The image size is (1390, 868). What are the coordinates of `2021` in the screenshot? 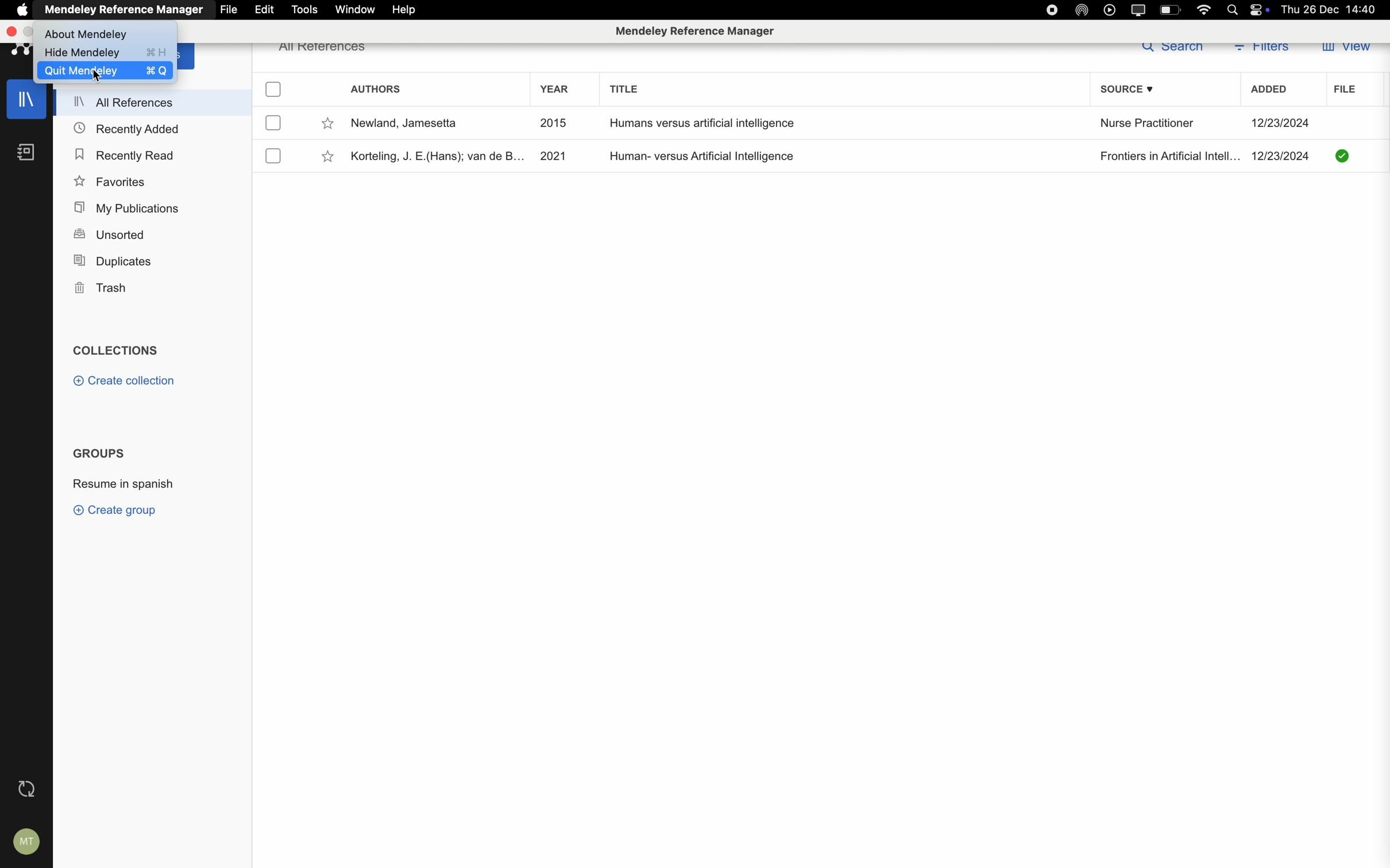 It's located at (553, 154).